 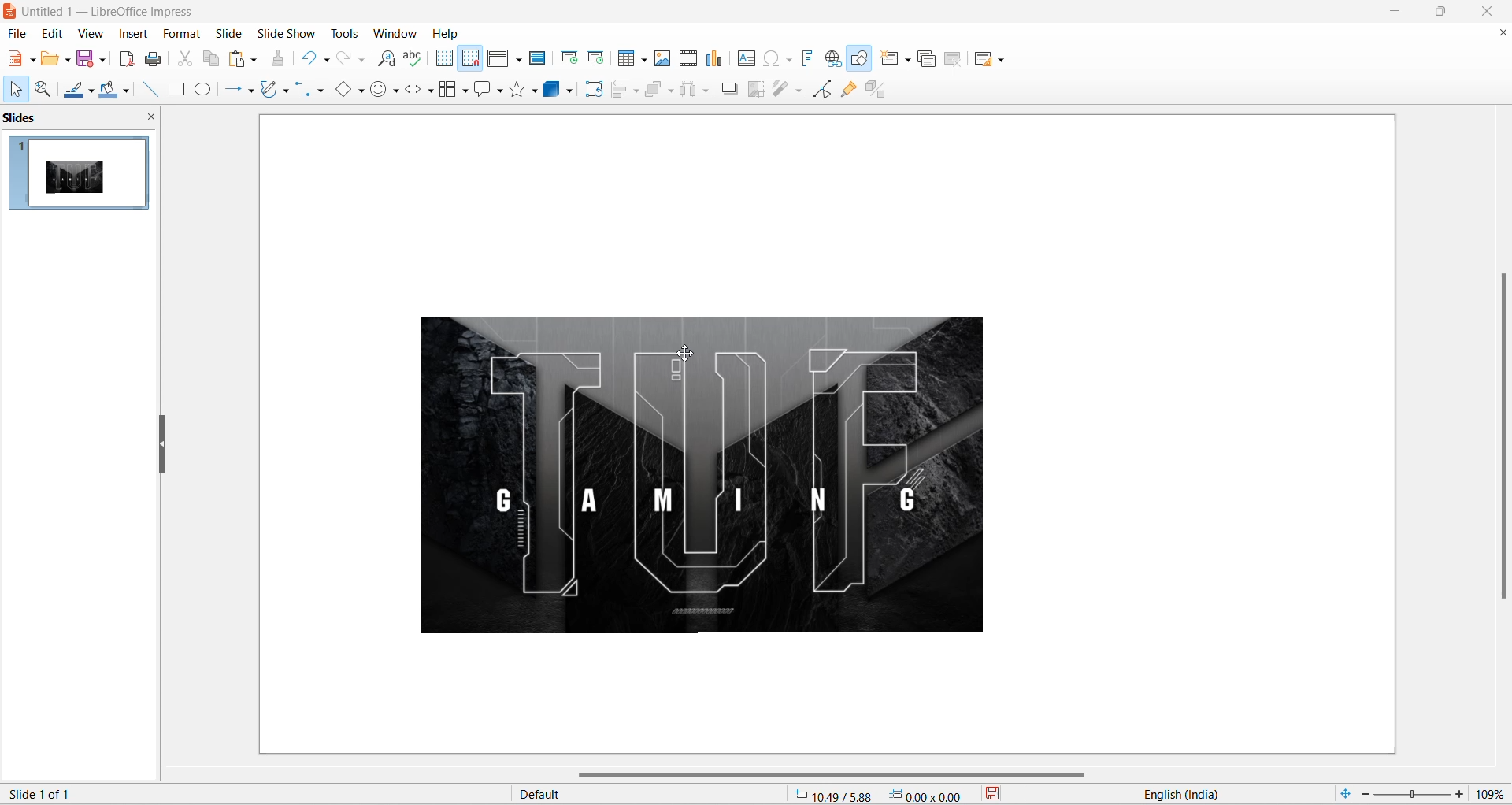 I want to click on open file options, so click(x=68, y=62).